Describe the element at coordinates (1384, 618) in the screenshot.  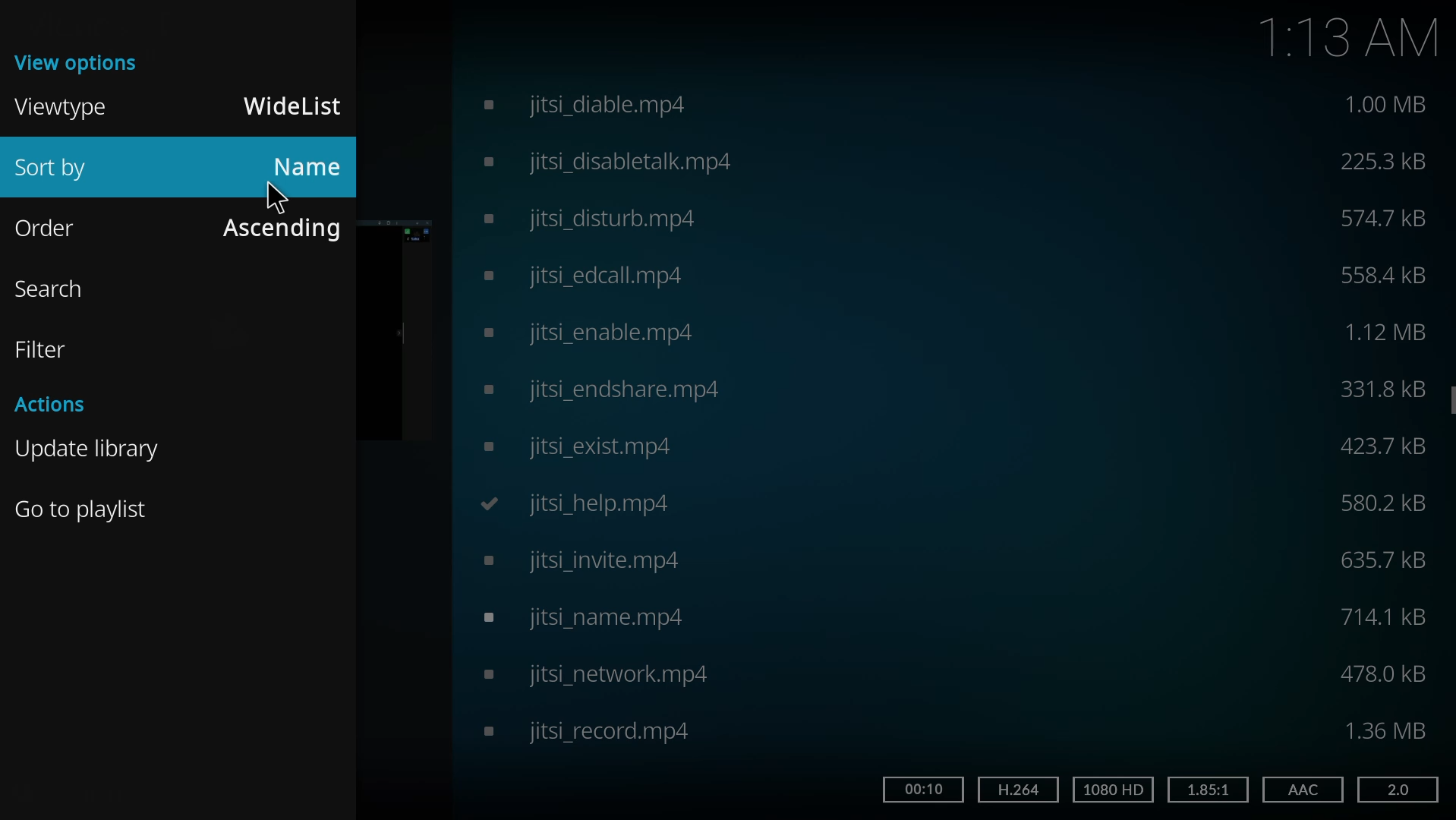
I see `size` at that location.